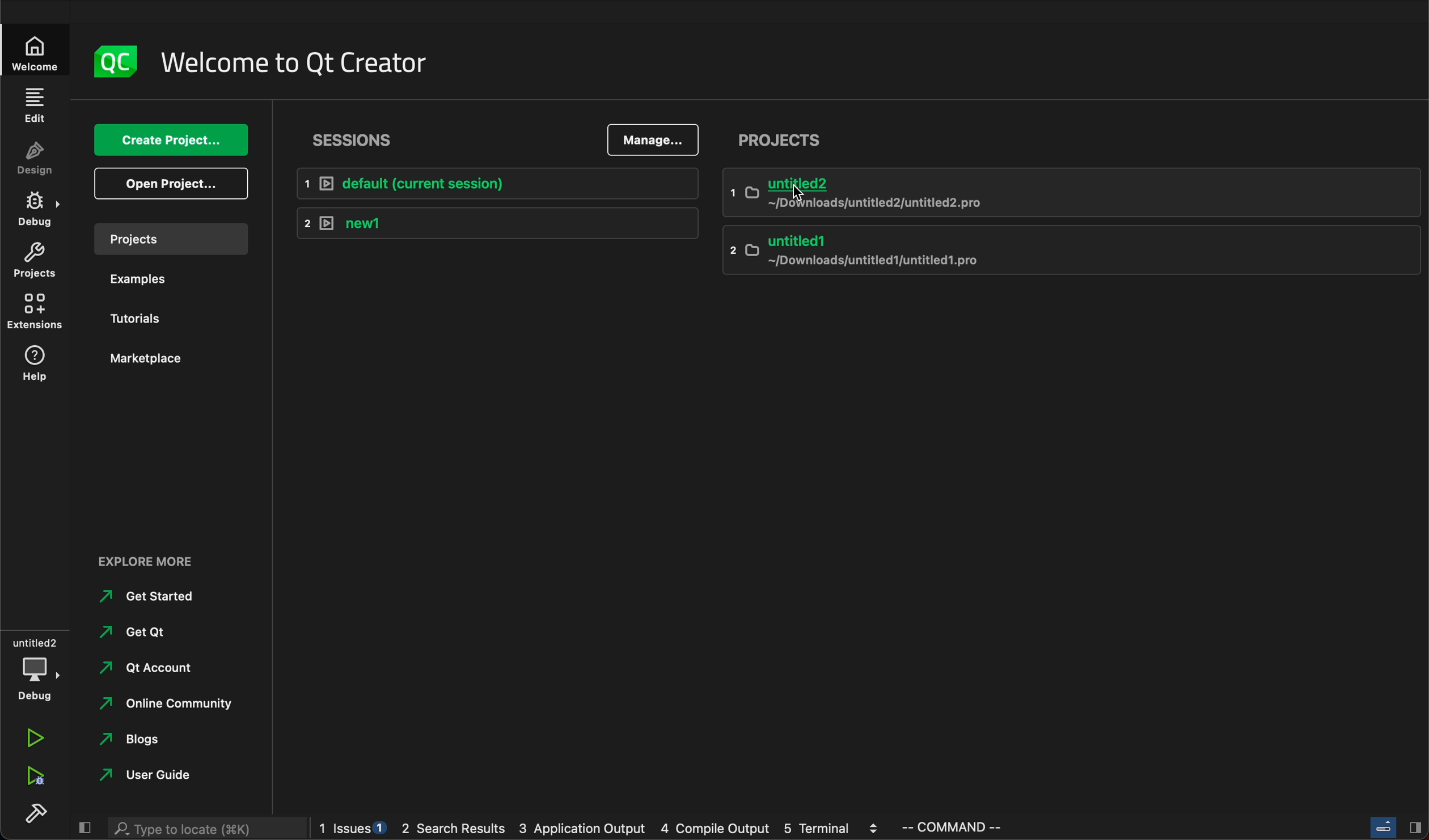  Describe the element at coordinates (166, 238) in the screenshot. I see `projects` at that location.